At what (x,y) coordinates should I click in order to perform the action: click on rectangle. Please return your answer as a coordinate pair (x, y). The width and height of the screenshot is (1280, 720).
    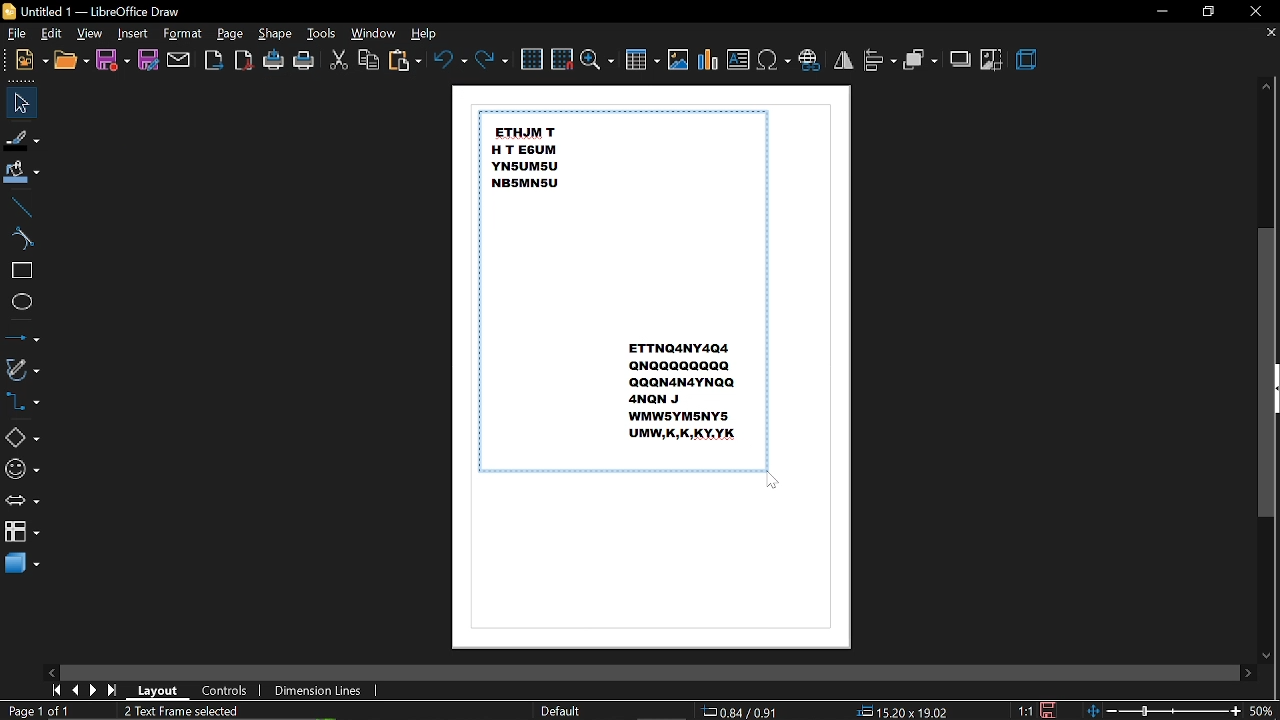
    Looking at the image, I should click on (20, 272).